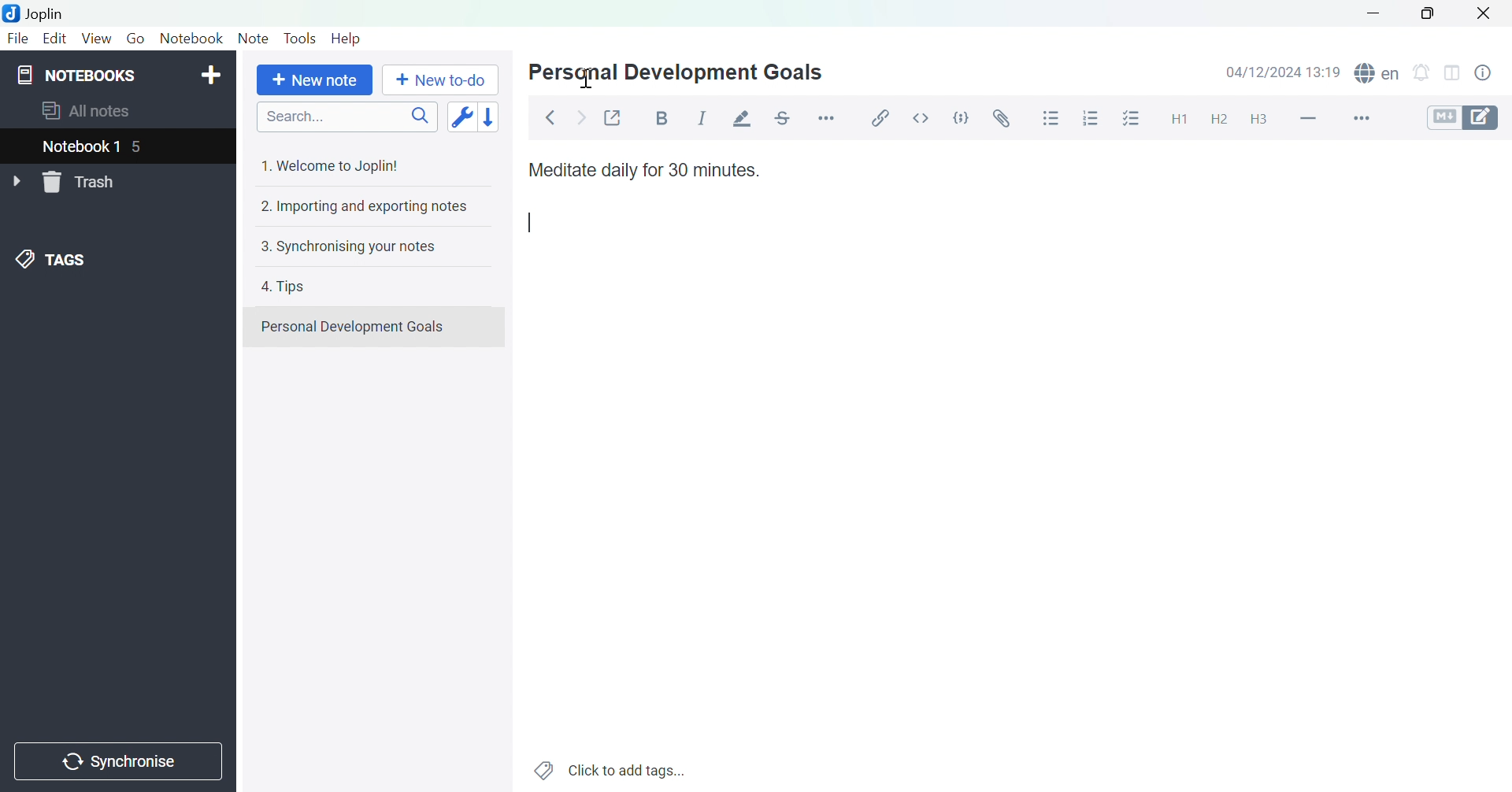  What do you see at coordinates (336, 165) in the screenshot?
I see `1. Welcome to Joplin!` at bounding box center [336, 165].